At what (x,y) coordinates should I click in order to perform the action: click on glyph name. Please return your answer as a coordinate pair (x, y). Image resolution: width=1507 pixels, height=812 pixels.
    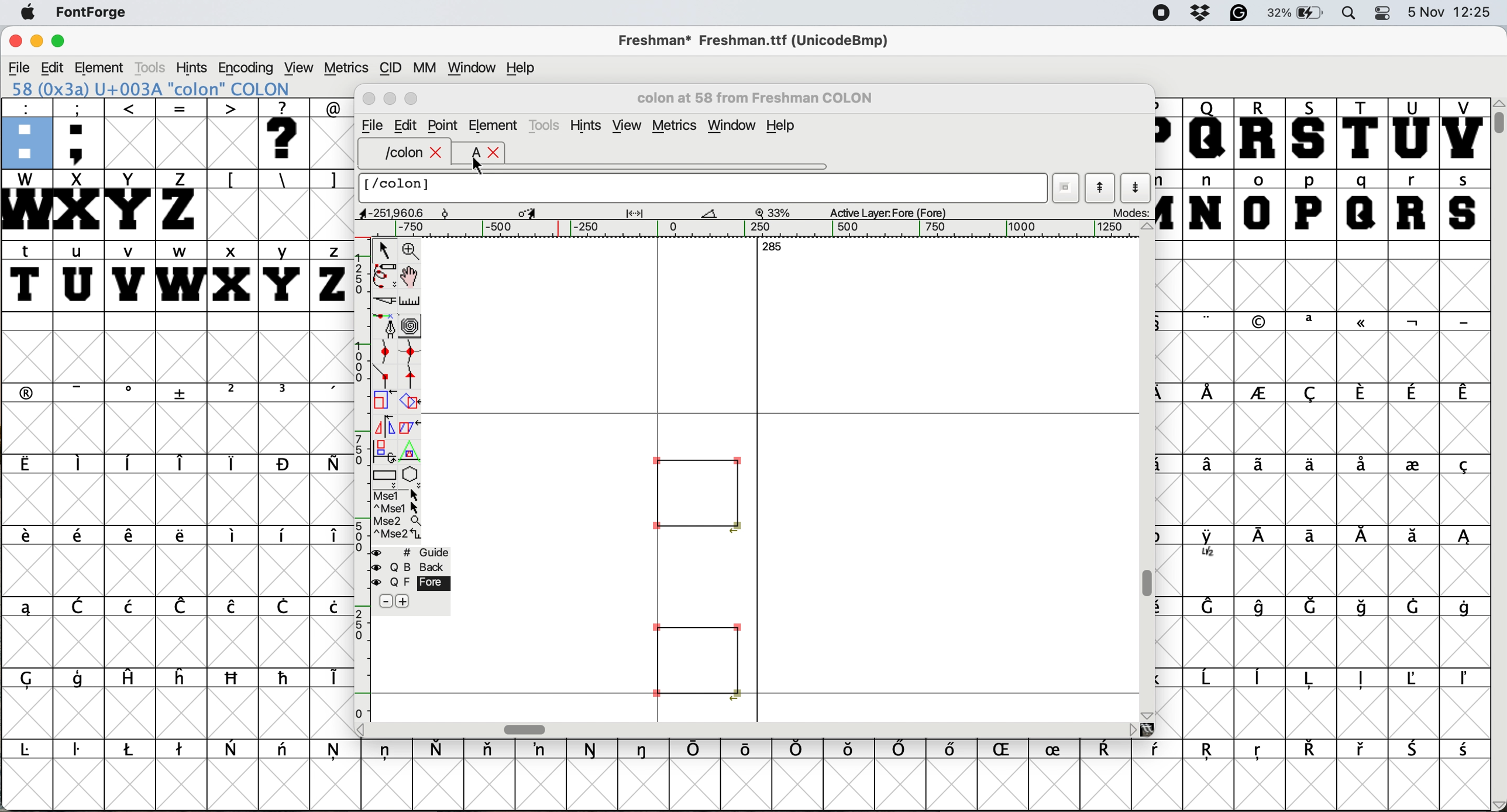
    Looking at the image, I should click on (705, 188).